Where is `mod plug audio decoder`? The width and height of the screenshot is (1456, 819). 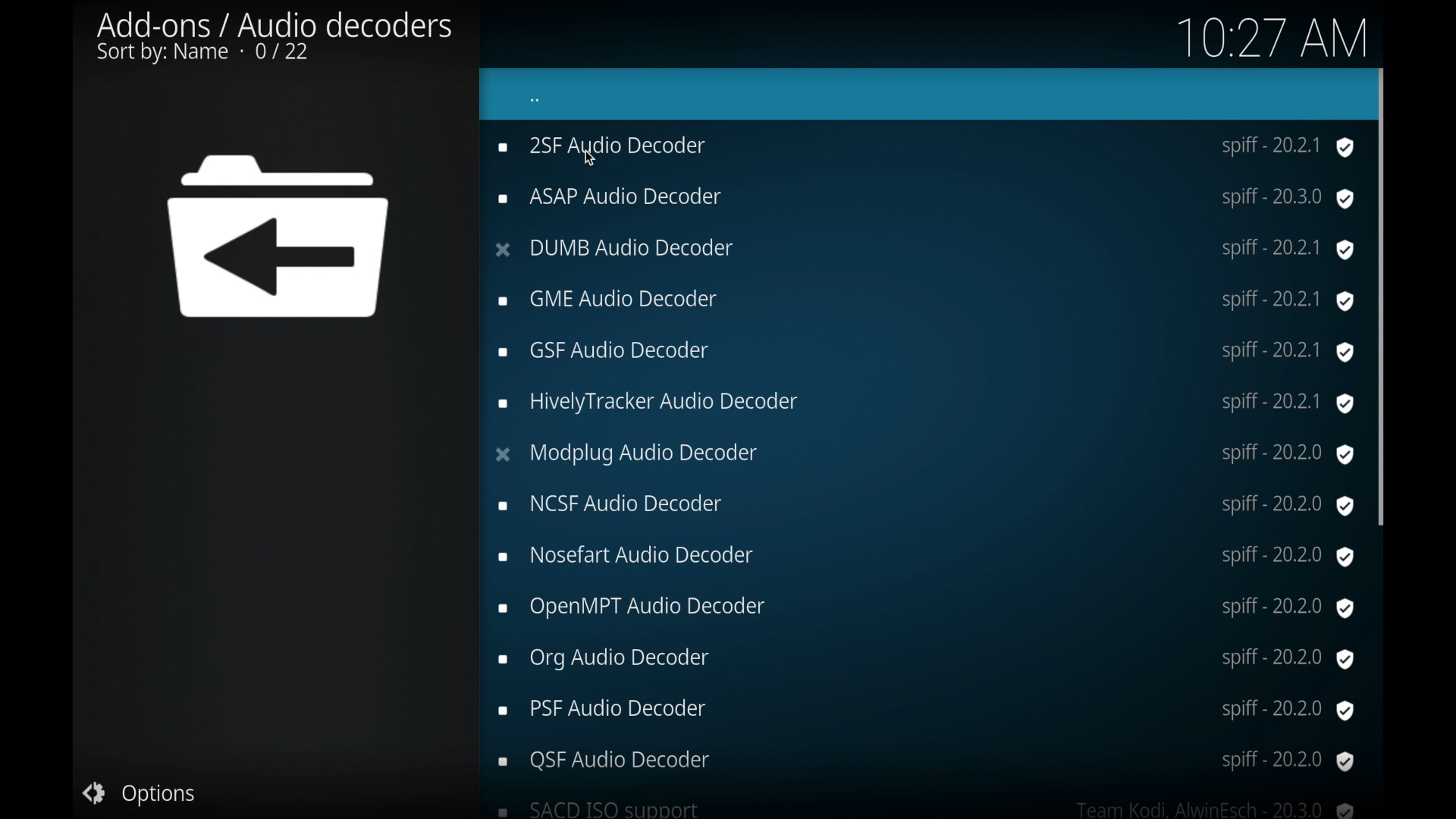 mod plug audio decoder is located at coordinates (924, 454).